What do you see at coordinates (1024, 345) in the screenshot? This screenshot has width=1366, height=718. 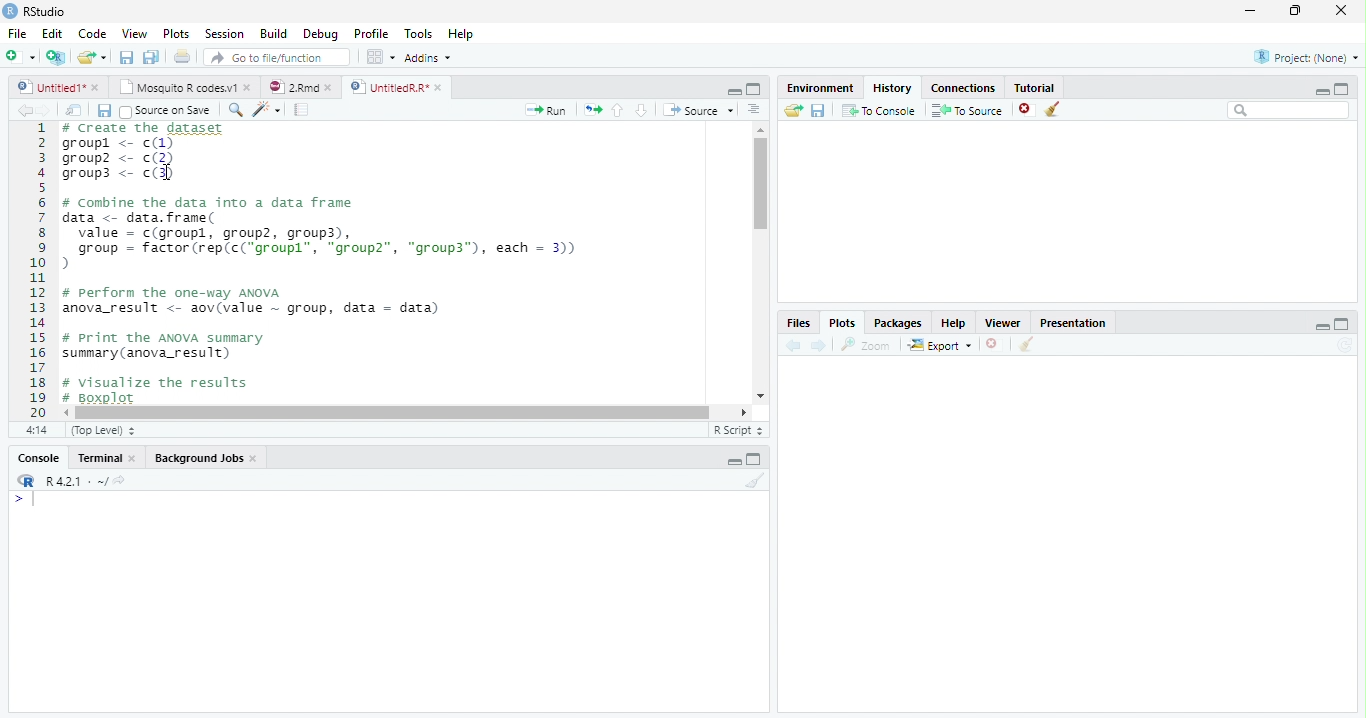 I see `Clear Console` at bounding box center [1024, 345].